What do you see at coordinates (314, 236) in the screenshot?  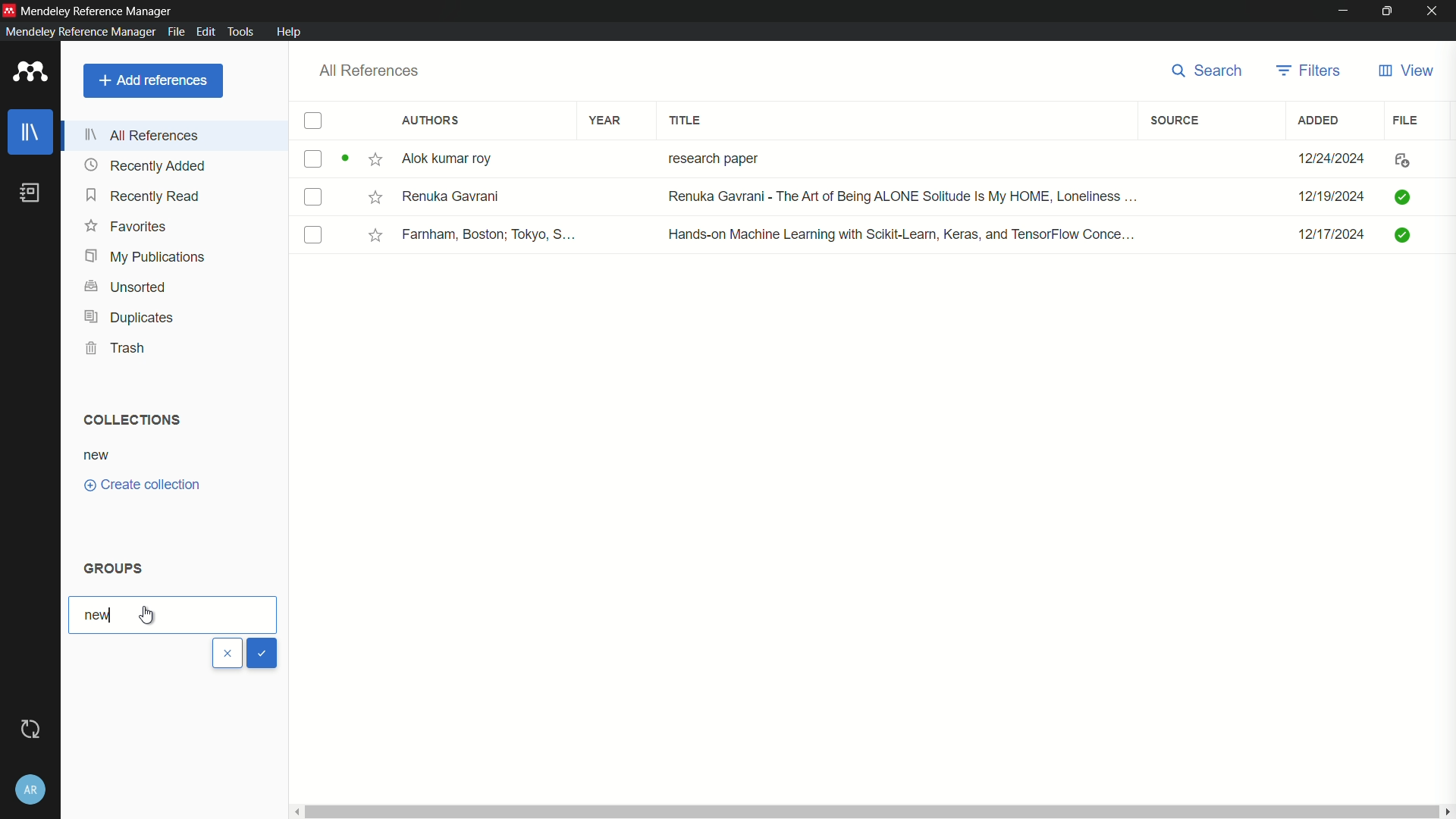 I see `book-3` at bounding box center [314, 236].